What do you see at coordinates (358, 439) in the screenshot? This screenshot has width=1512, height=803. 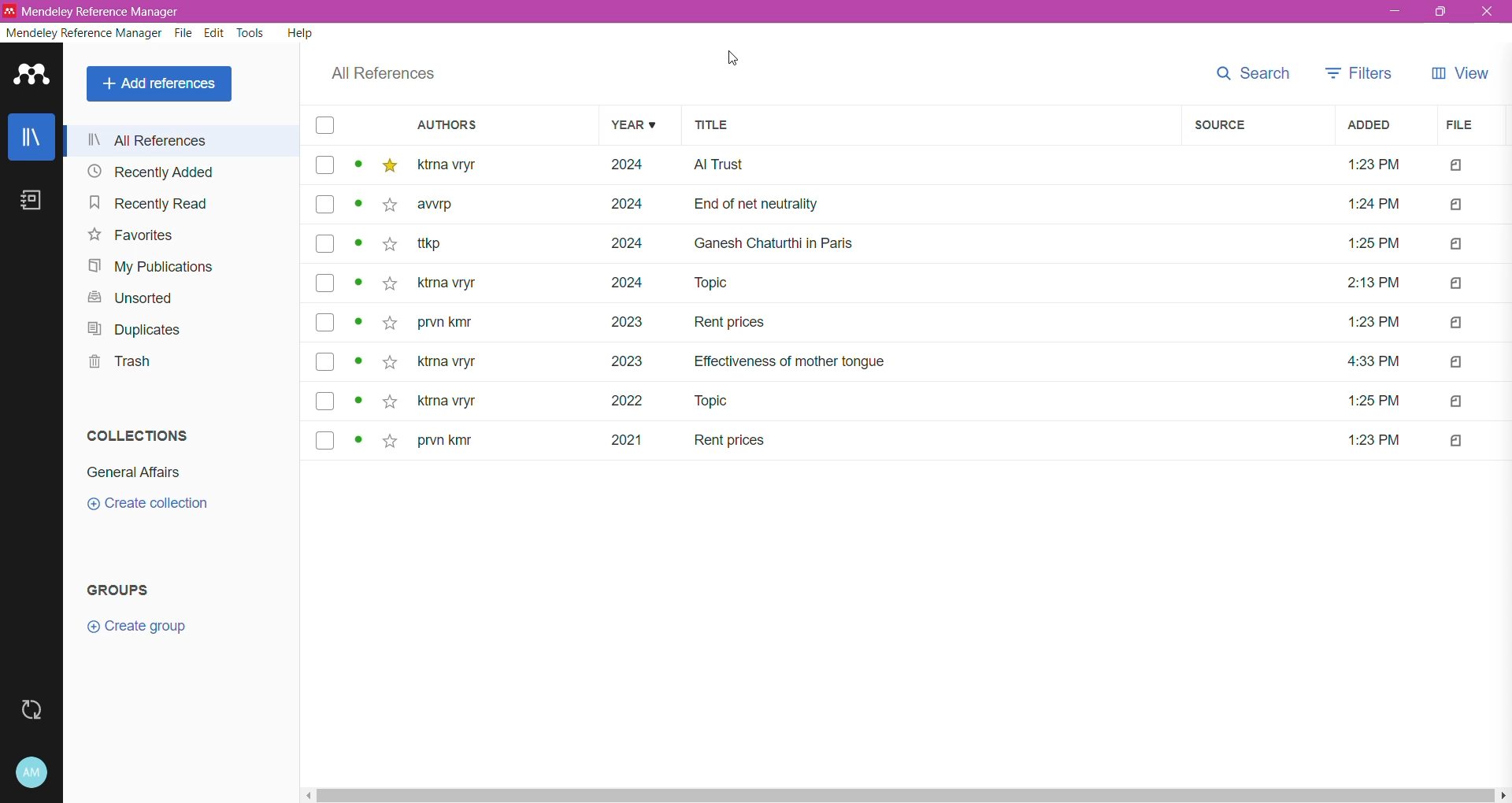 I see `unread` at bounding box center [358, 439].